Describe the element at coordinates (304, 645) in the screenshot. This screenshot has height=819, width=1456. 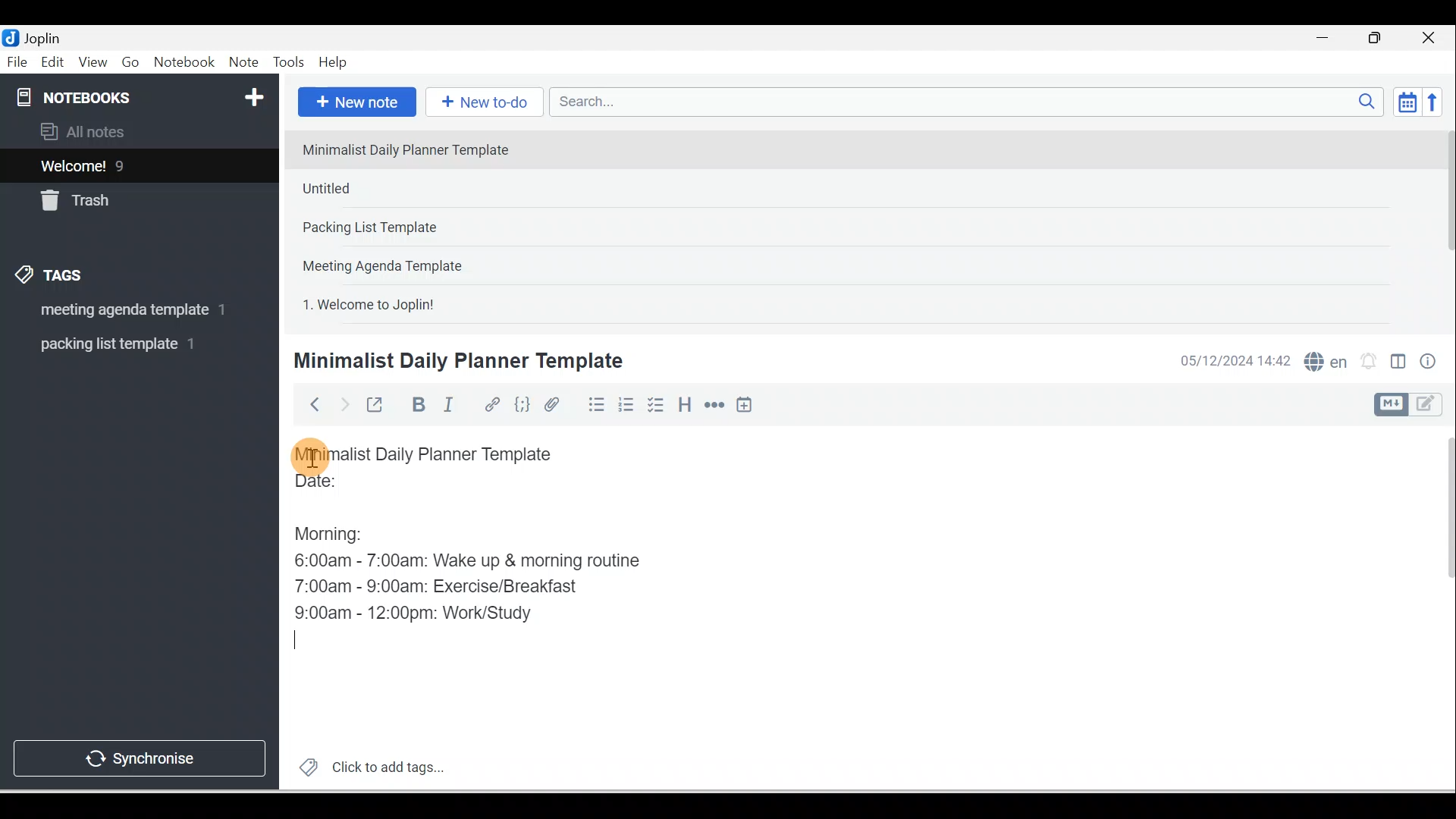
I see `Cursor` at that location.